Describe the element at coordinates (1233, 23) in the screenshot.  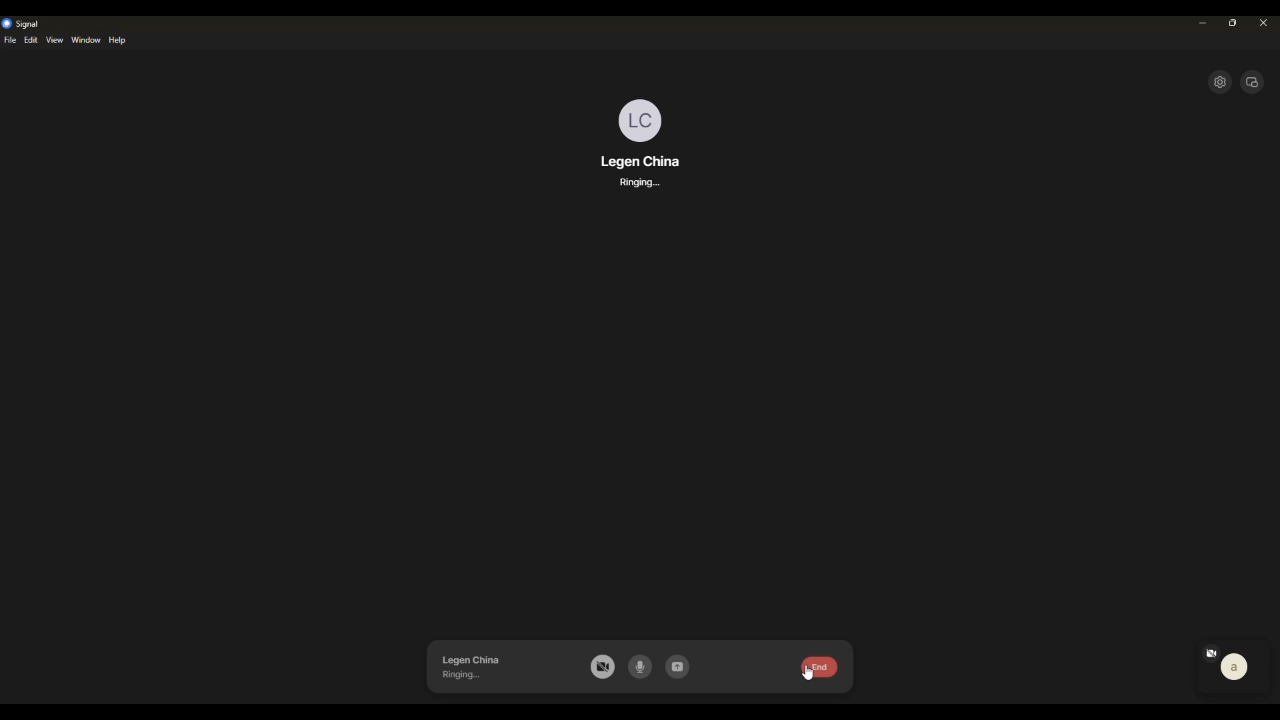
I see `maximize` at that location.